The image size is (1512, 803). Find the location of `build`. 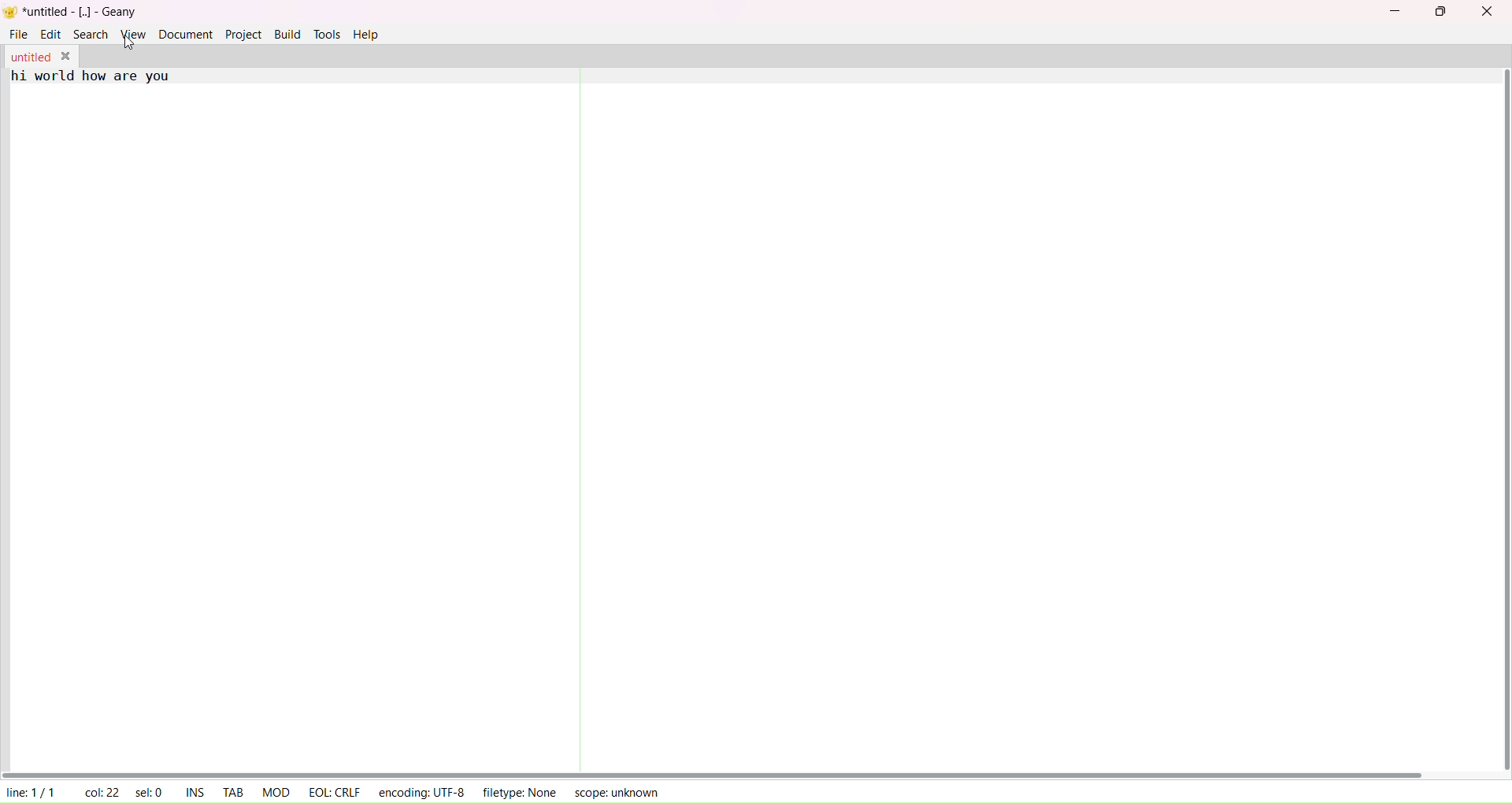

build is located at coordinates (289, 33).